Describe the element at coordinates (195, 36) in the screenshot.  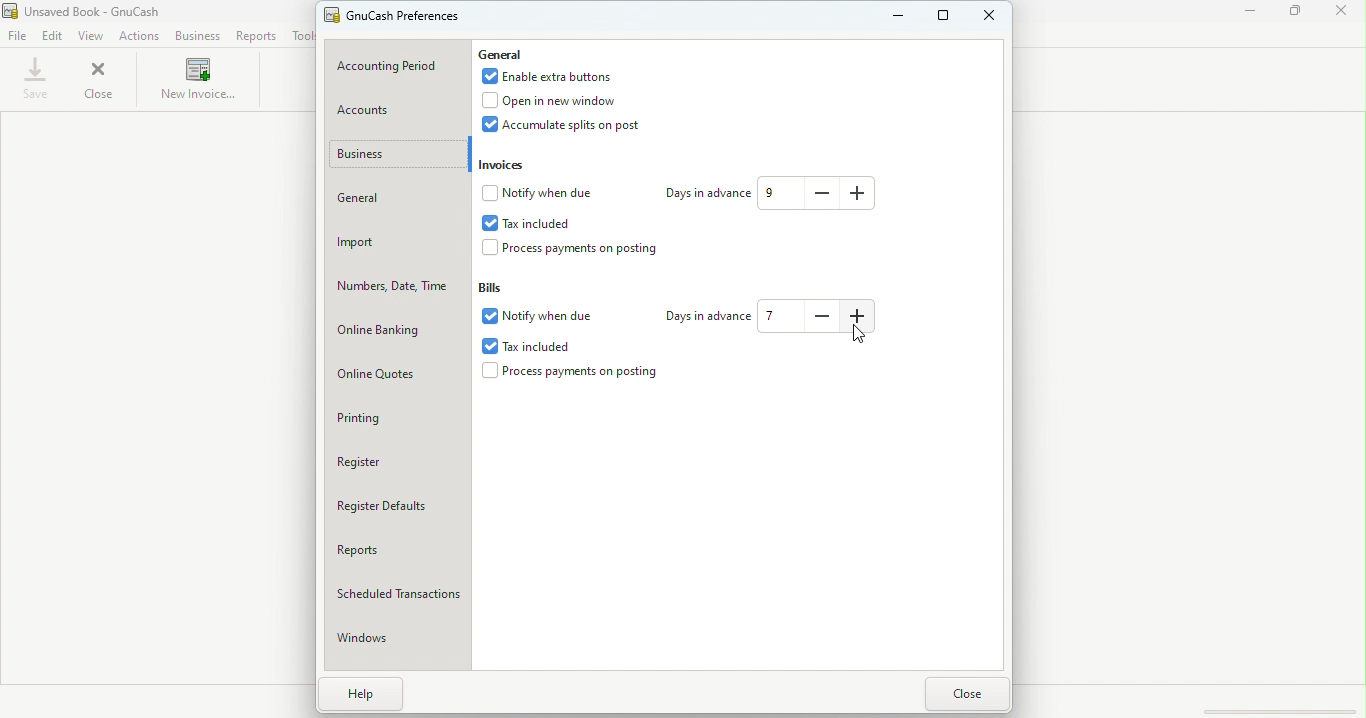
I see `Business` at that location.